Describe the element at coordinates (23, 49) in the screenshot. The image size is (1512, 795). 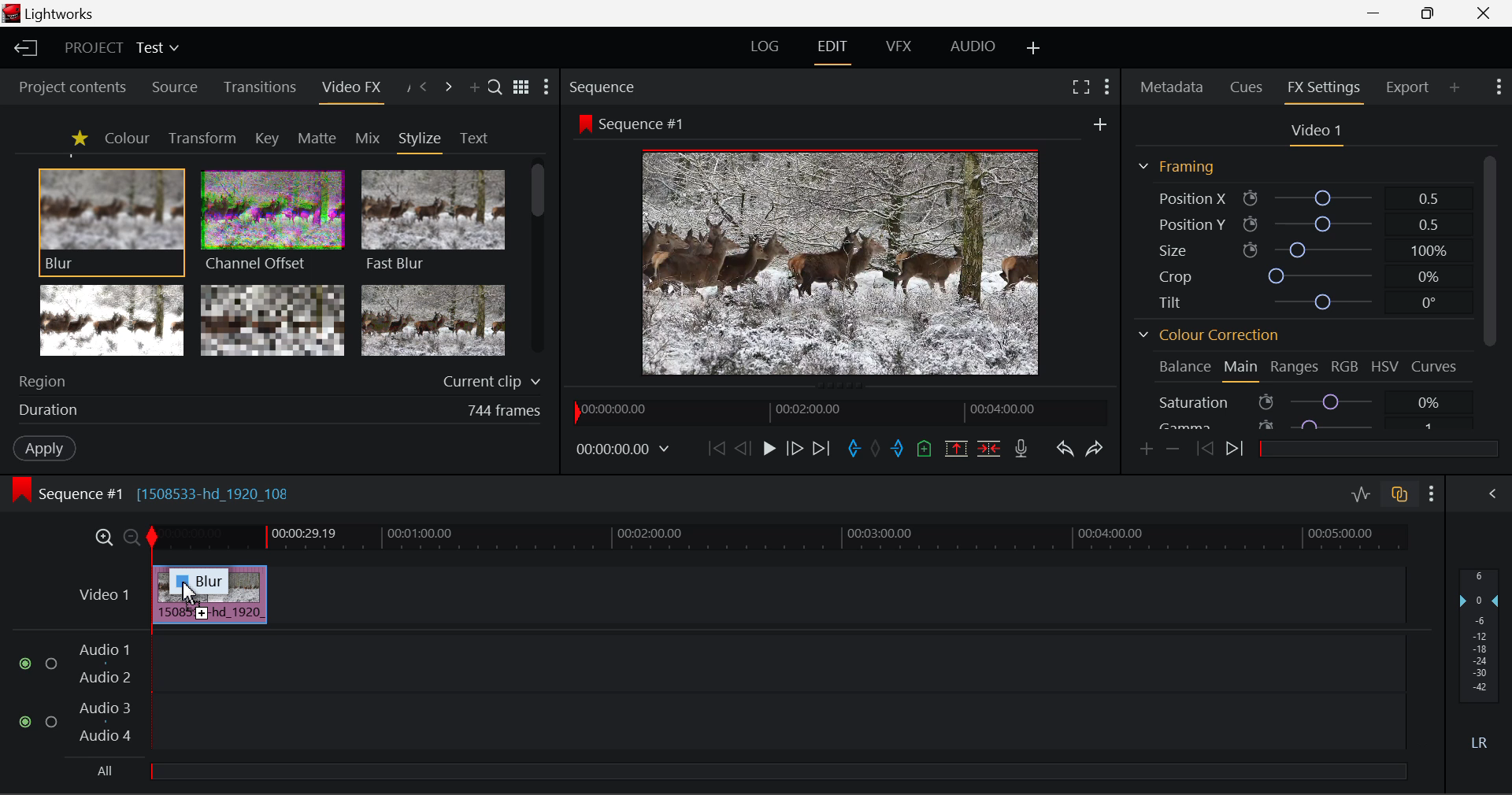
I see `Back to Homepage` at that location.